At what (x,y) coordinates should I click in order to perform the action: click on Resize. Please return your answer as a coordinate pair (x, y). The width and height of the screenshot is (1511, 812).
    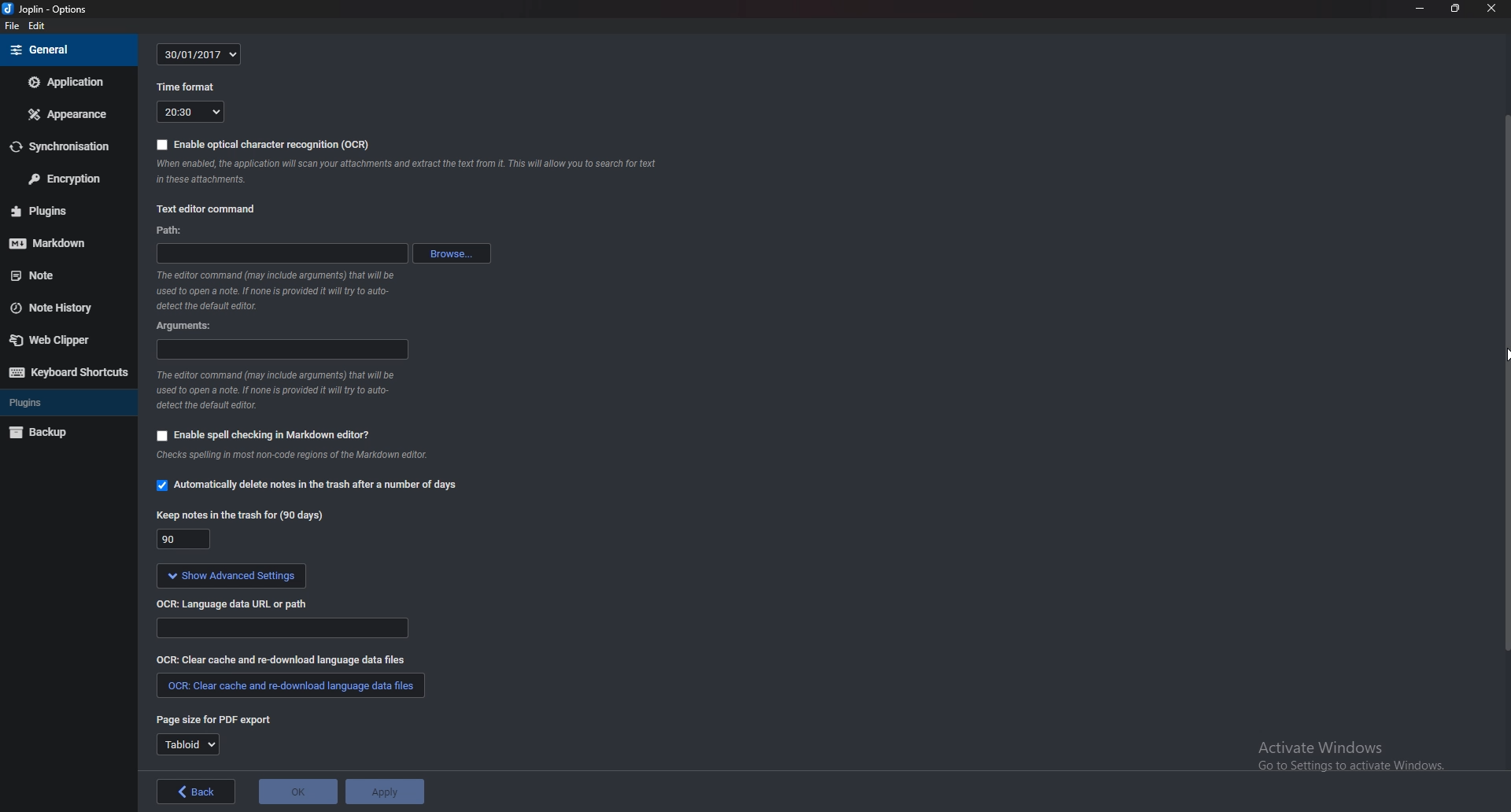
    Looking at the image, I should click on (1453, 9).